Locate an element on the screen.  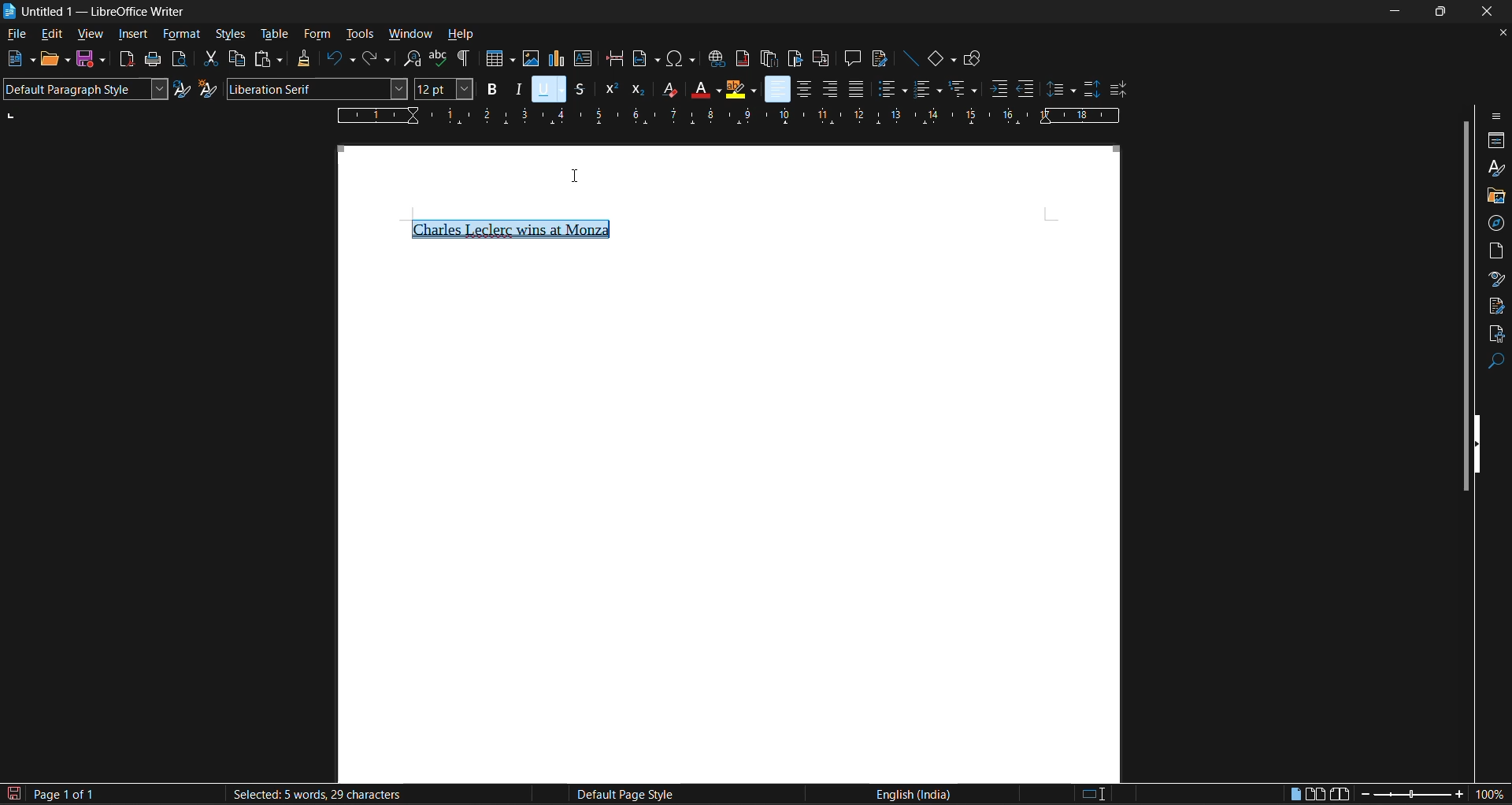
insert endnote is located at coordinates (770, 60).